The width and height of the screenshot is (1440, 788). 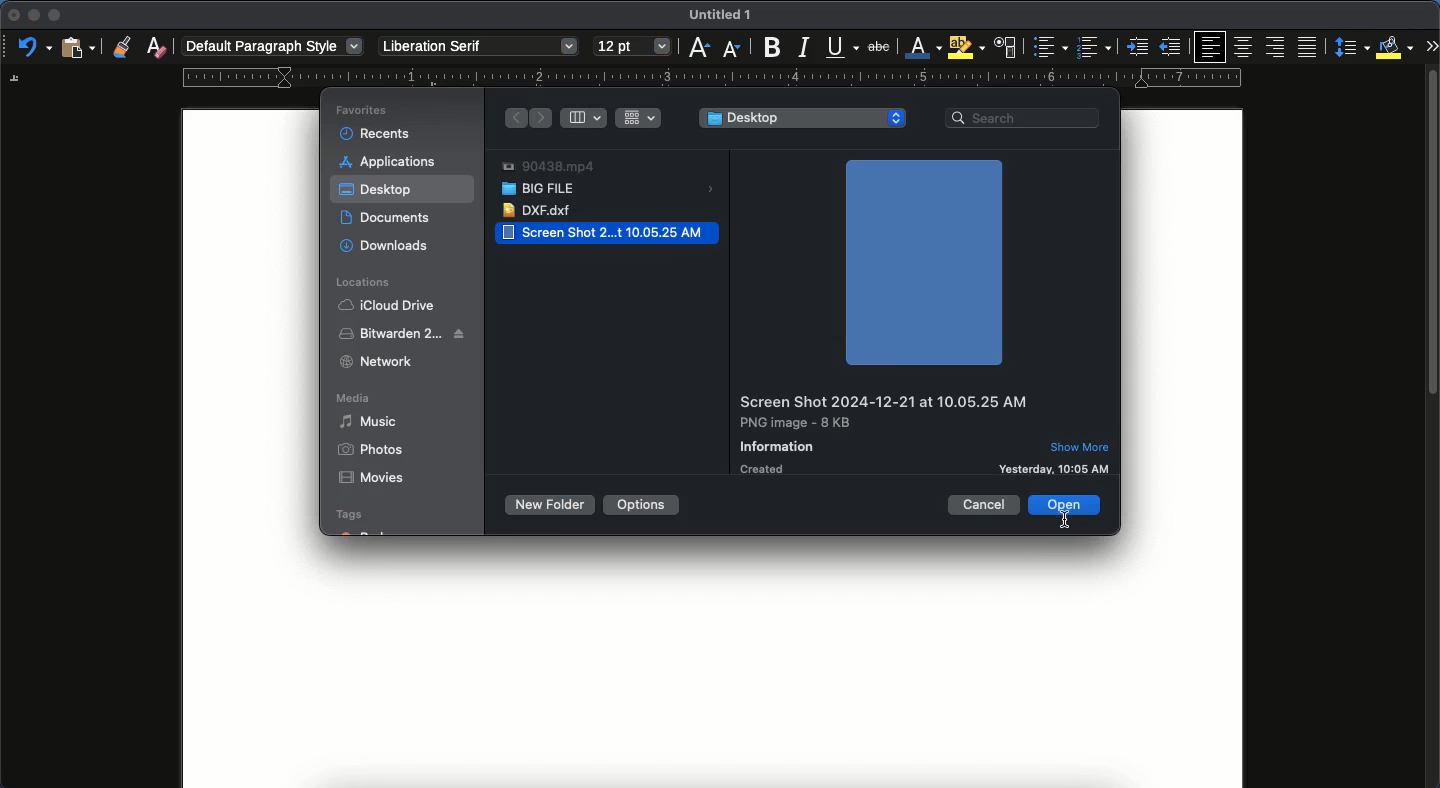 What do you see at coordinates (363, 522) in the screenshot?
I see `tags` at bounding box center [363, 522].